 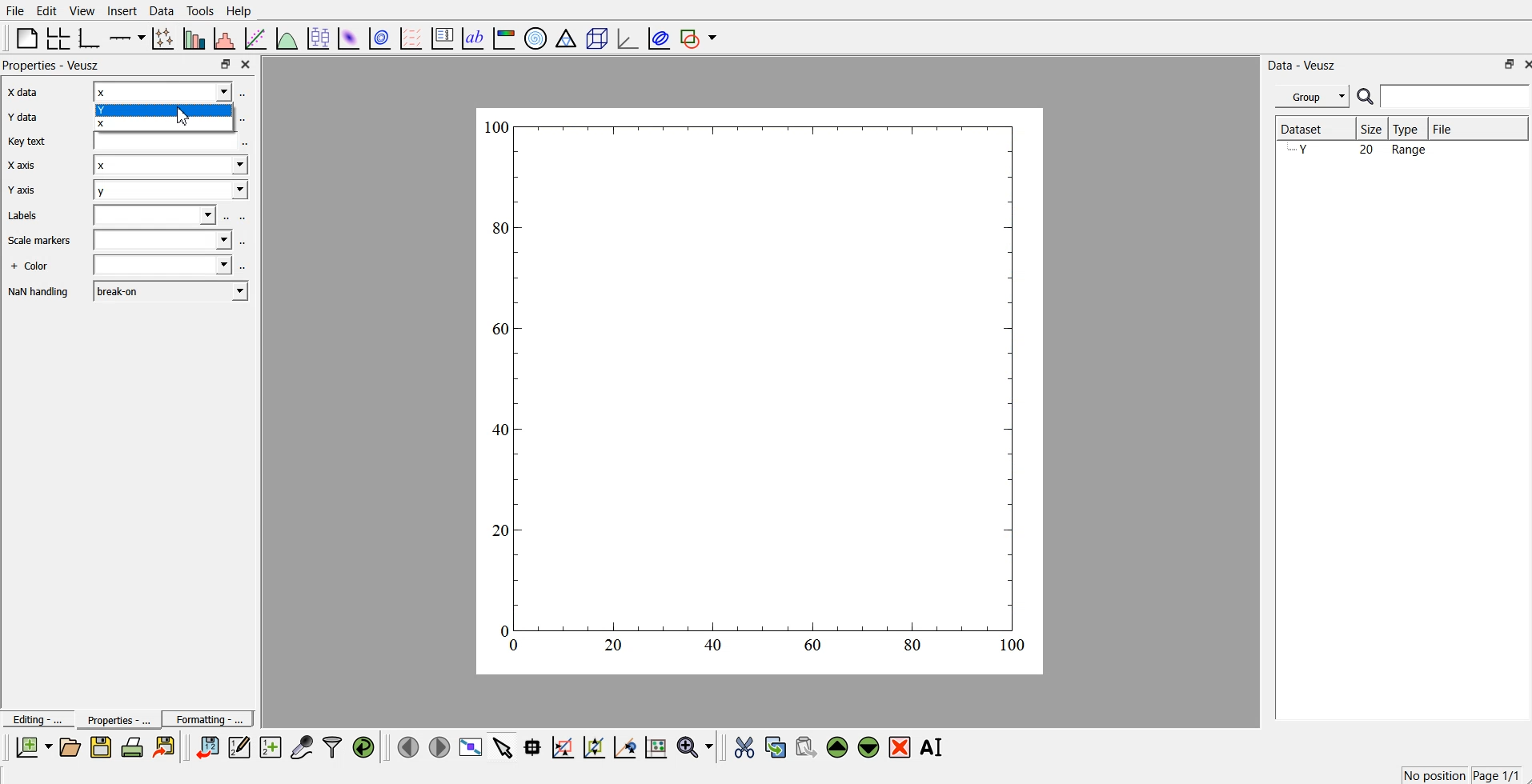 What do you see at coordinates (1444, 97) in the screenshot?
I see `Search` at bounding box center [1444, 97].